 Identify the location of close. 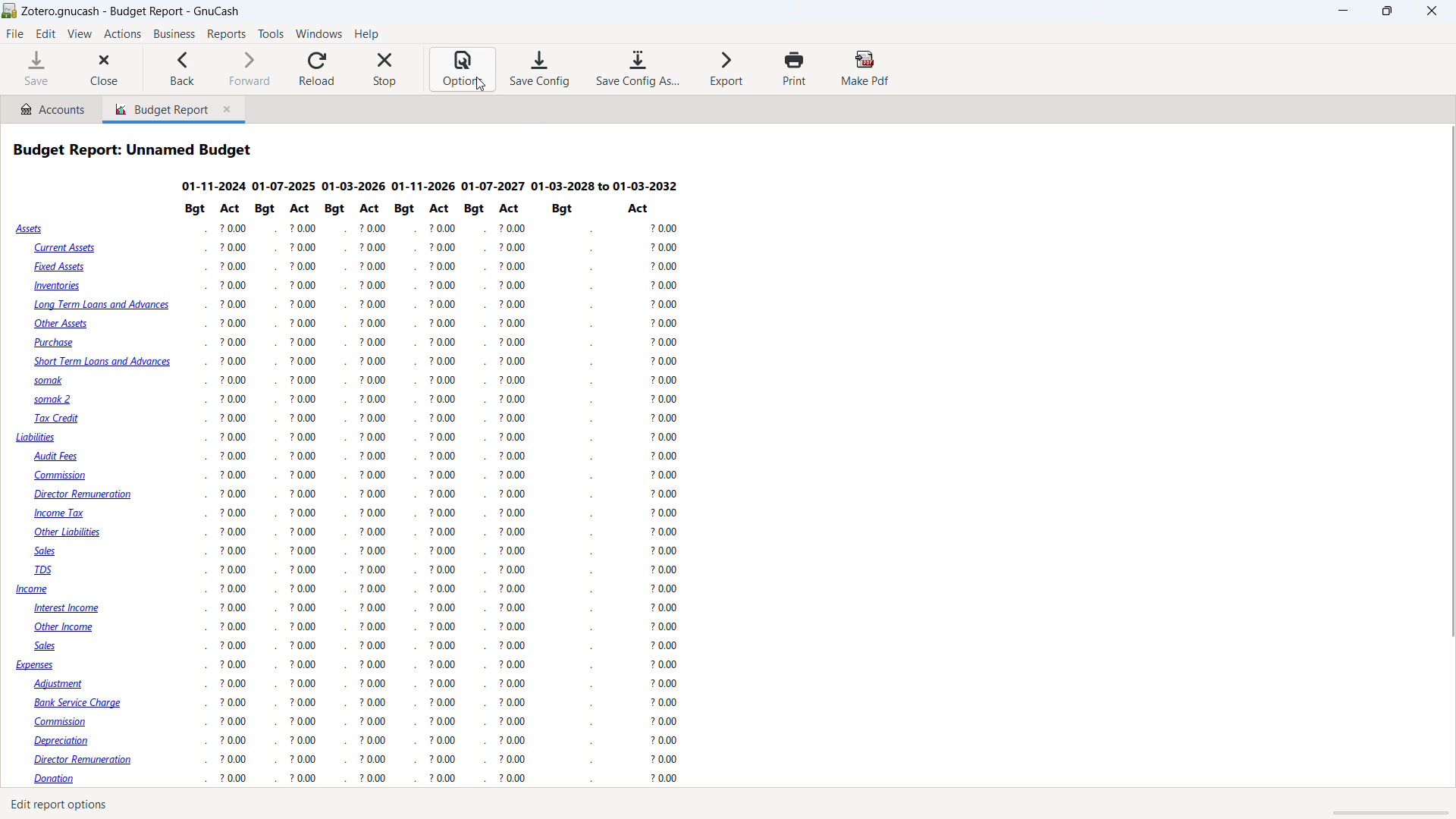
(105, 70).